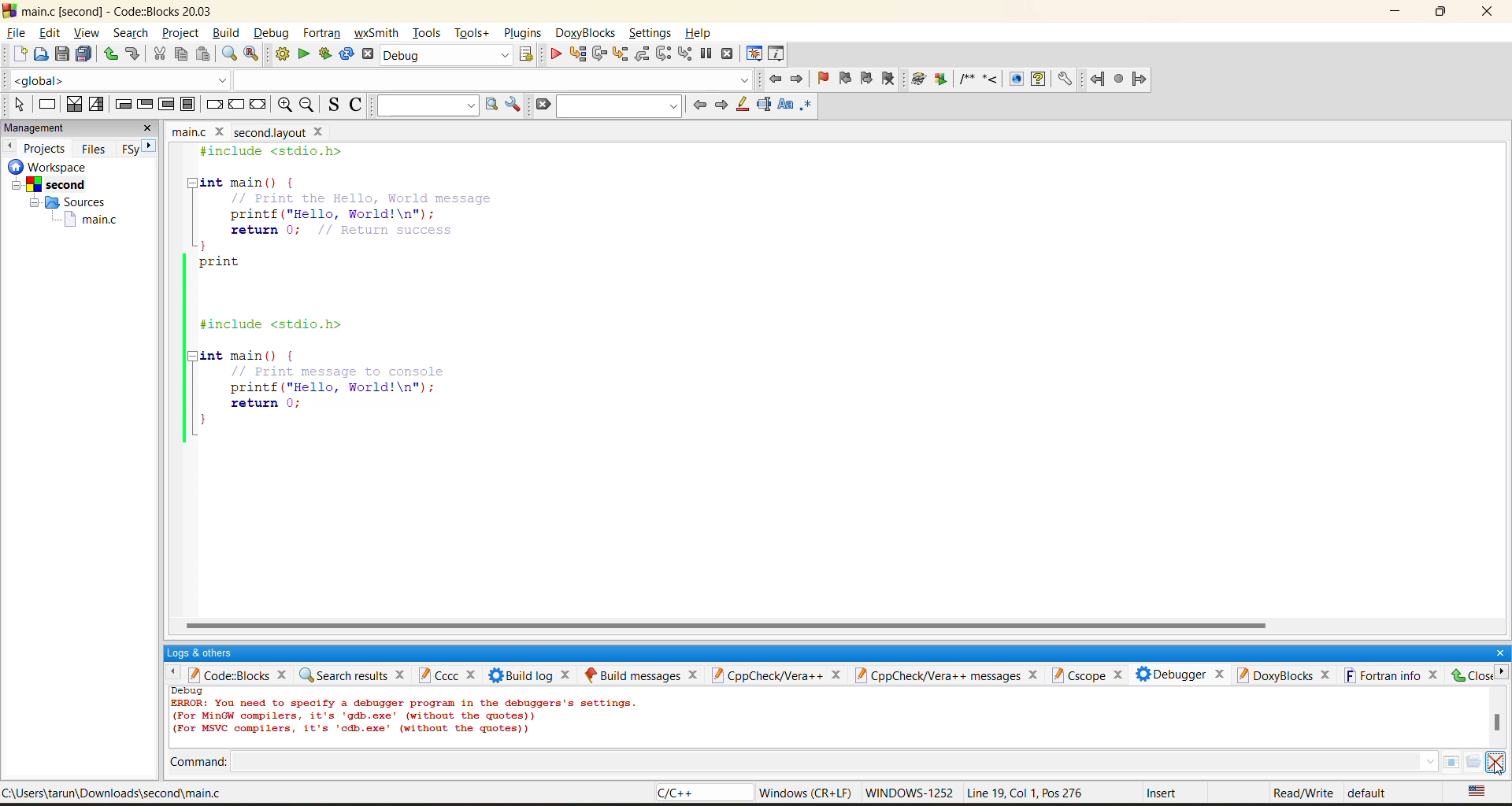 This screenshot has height=806, width=1512. I want to click on debugging windows, so click(755, 54).